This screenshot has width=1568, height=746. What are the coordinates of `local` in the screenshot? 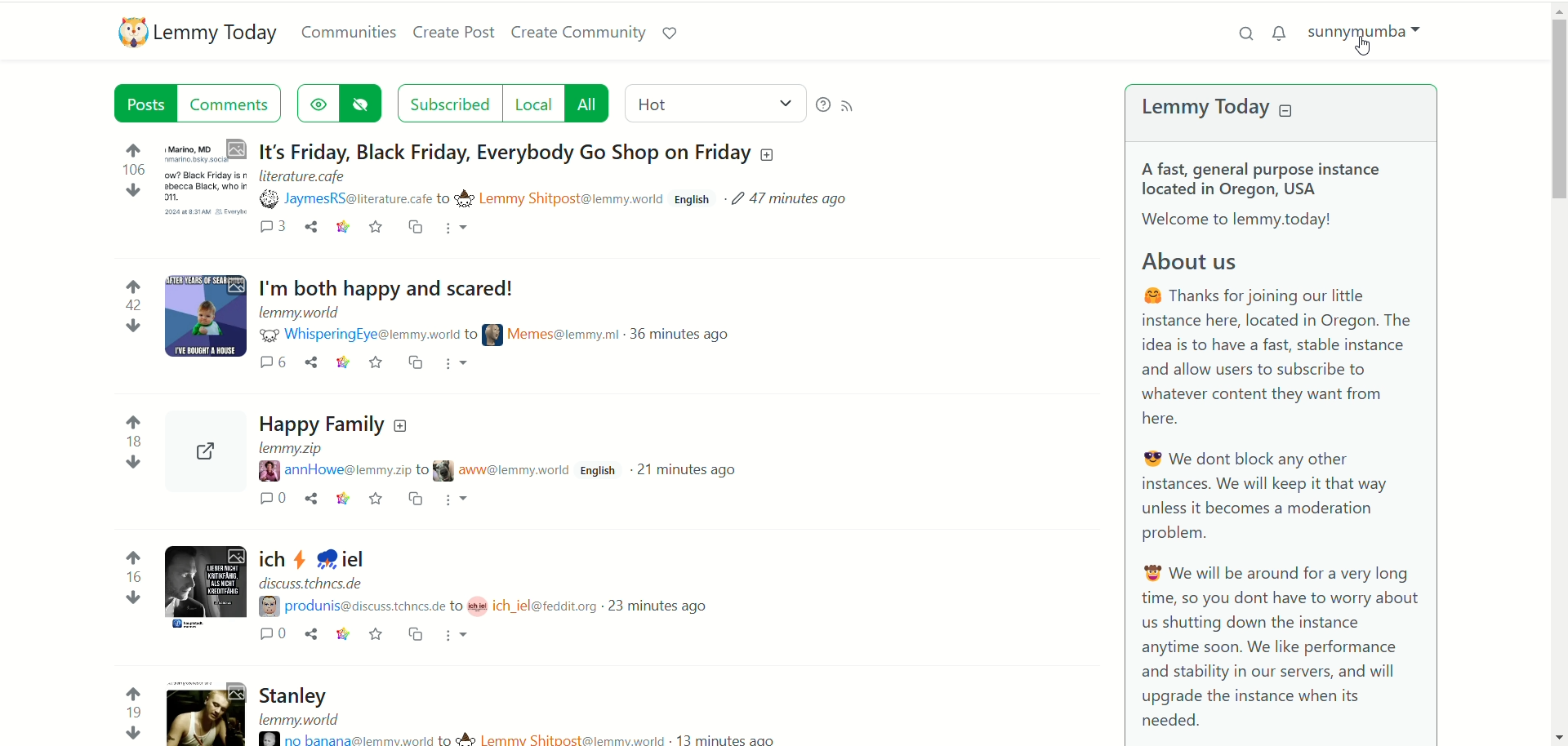 It's located at (532, 104).